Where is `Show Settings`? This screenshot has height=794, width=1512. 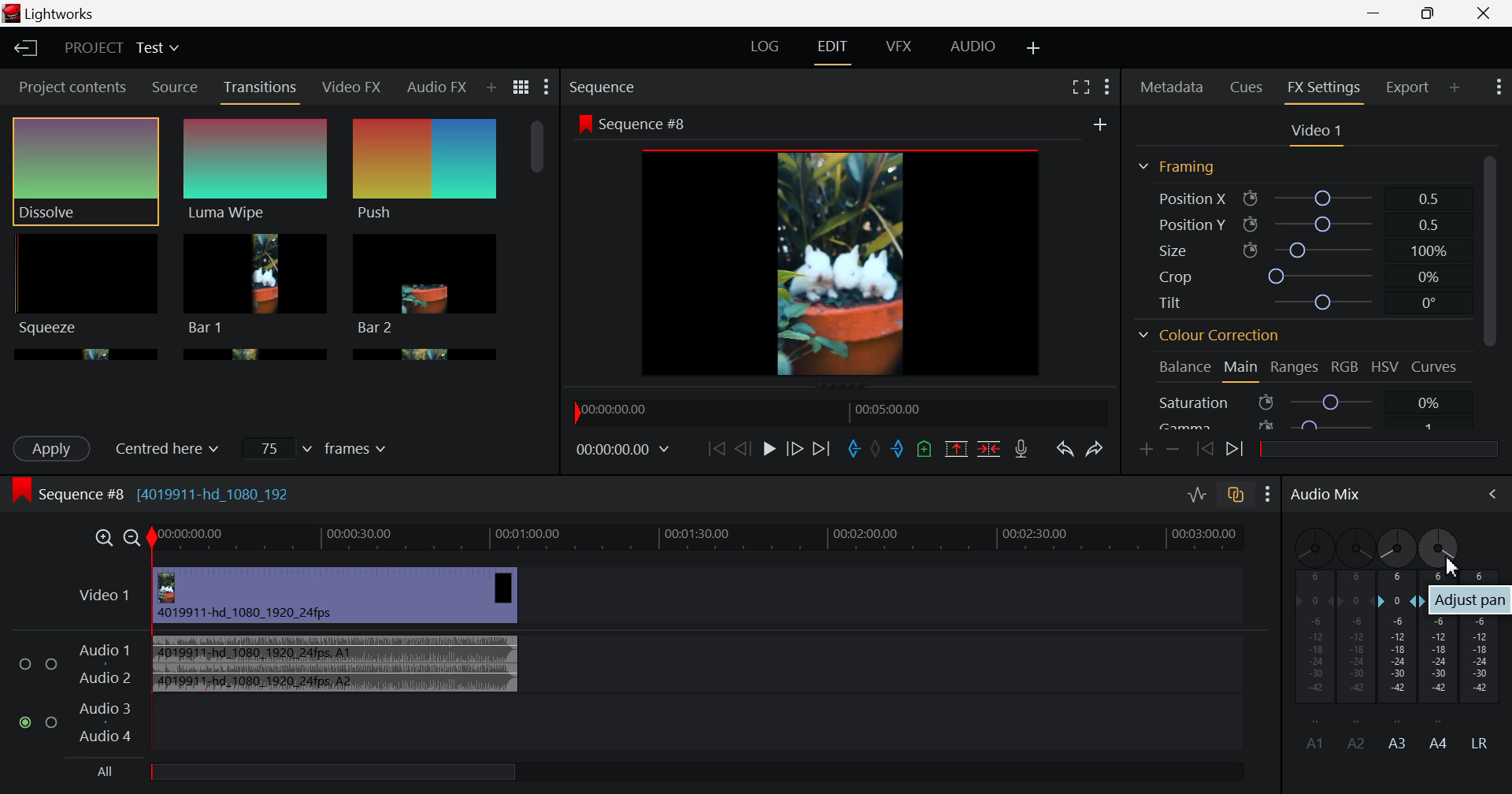 Show Settings is located at coordinates (1498, 89).